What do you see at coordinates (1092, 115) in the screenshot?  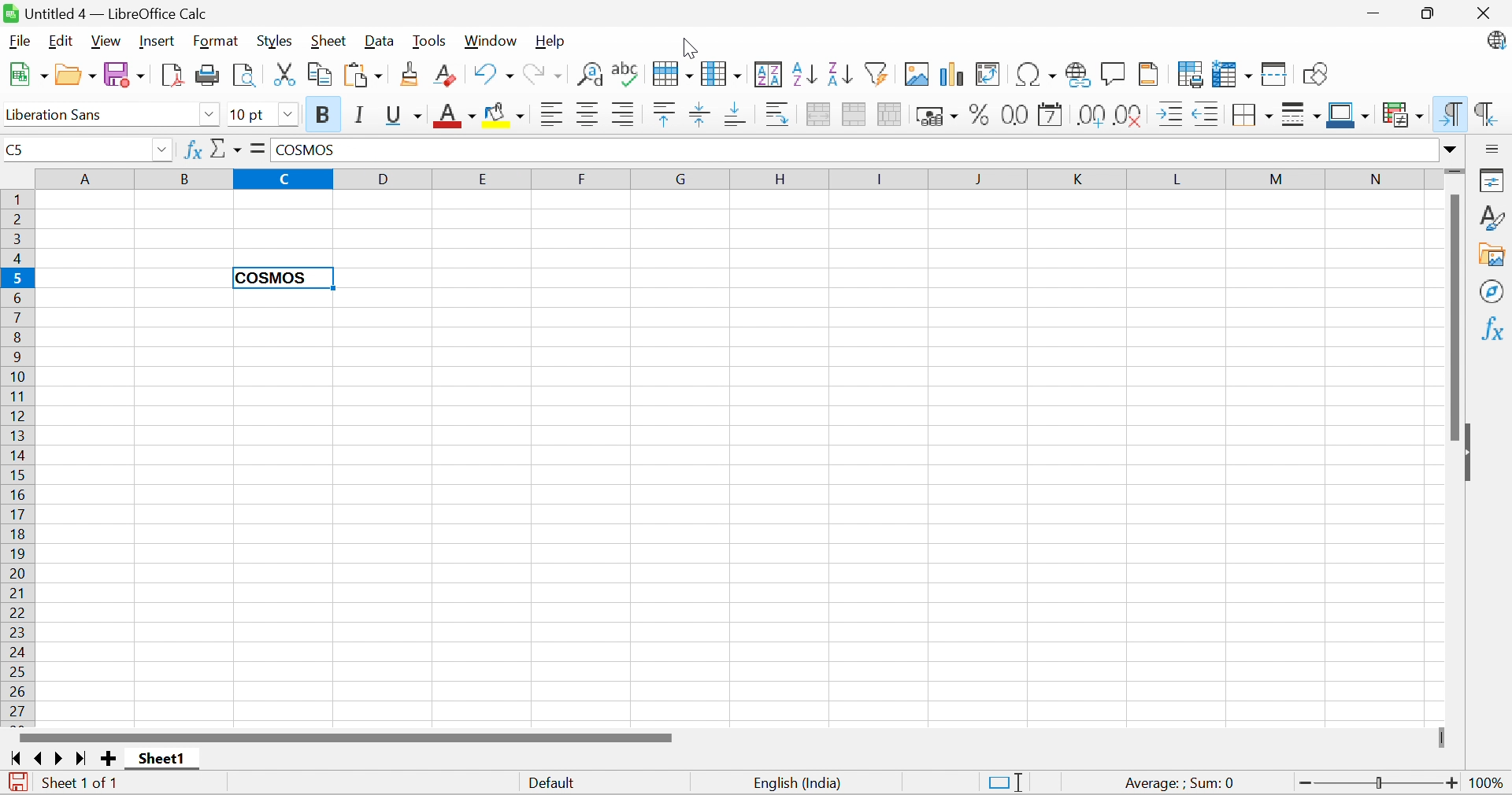 I see `Add Decimal Place` at bounding box center [1092, 115].